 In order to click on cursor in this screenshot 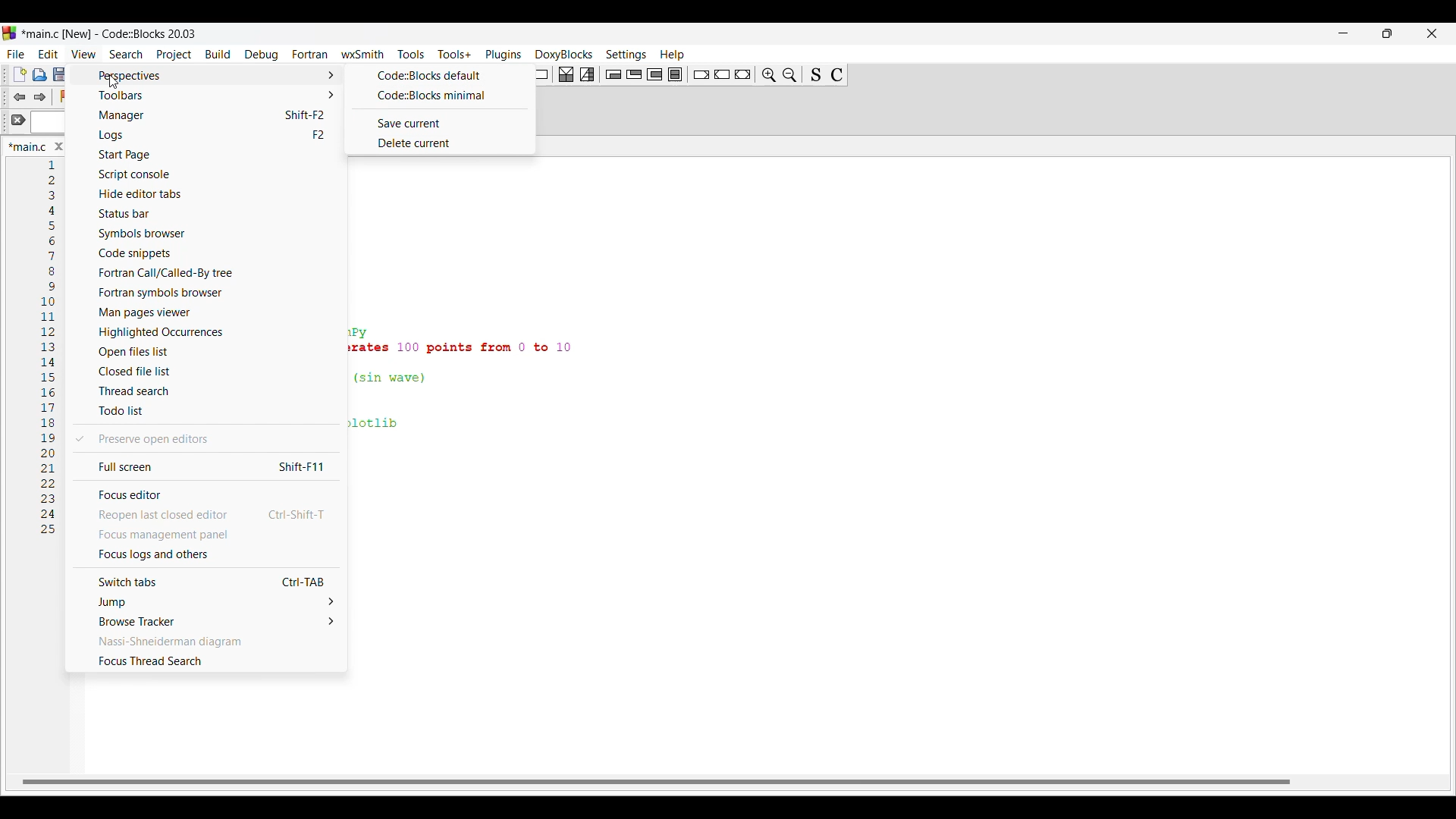, I will do `click(121, 85)`.